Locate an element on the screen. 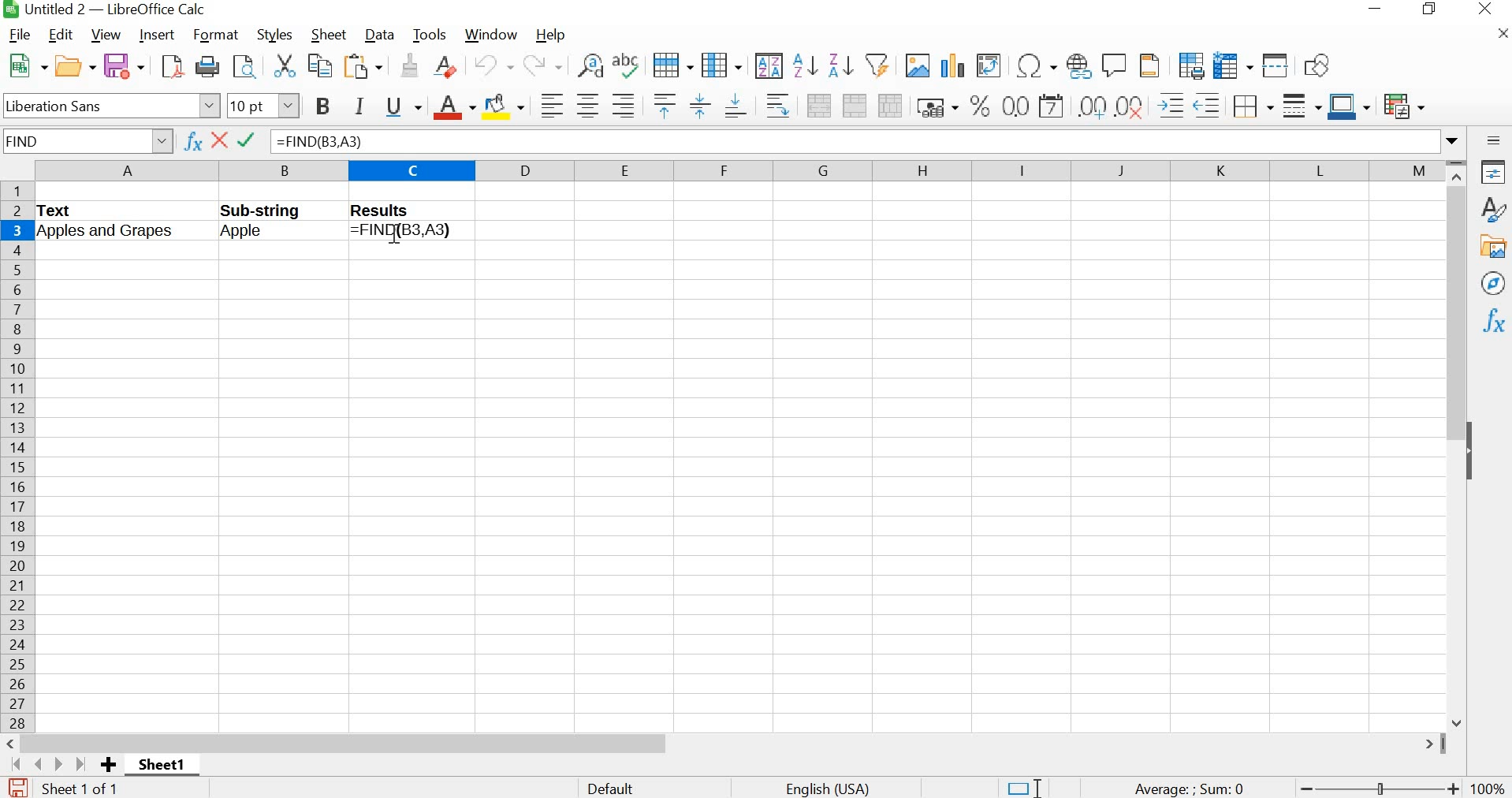 This screenshot has height=798, width=1512. redo is located at coordinates (542, 65).